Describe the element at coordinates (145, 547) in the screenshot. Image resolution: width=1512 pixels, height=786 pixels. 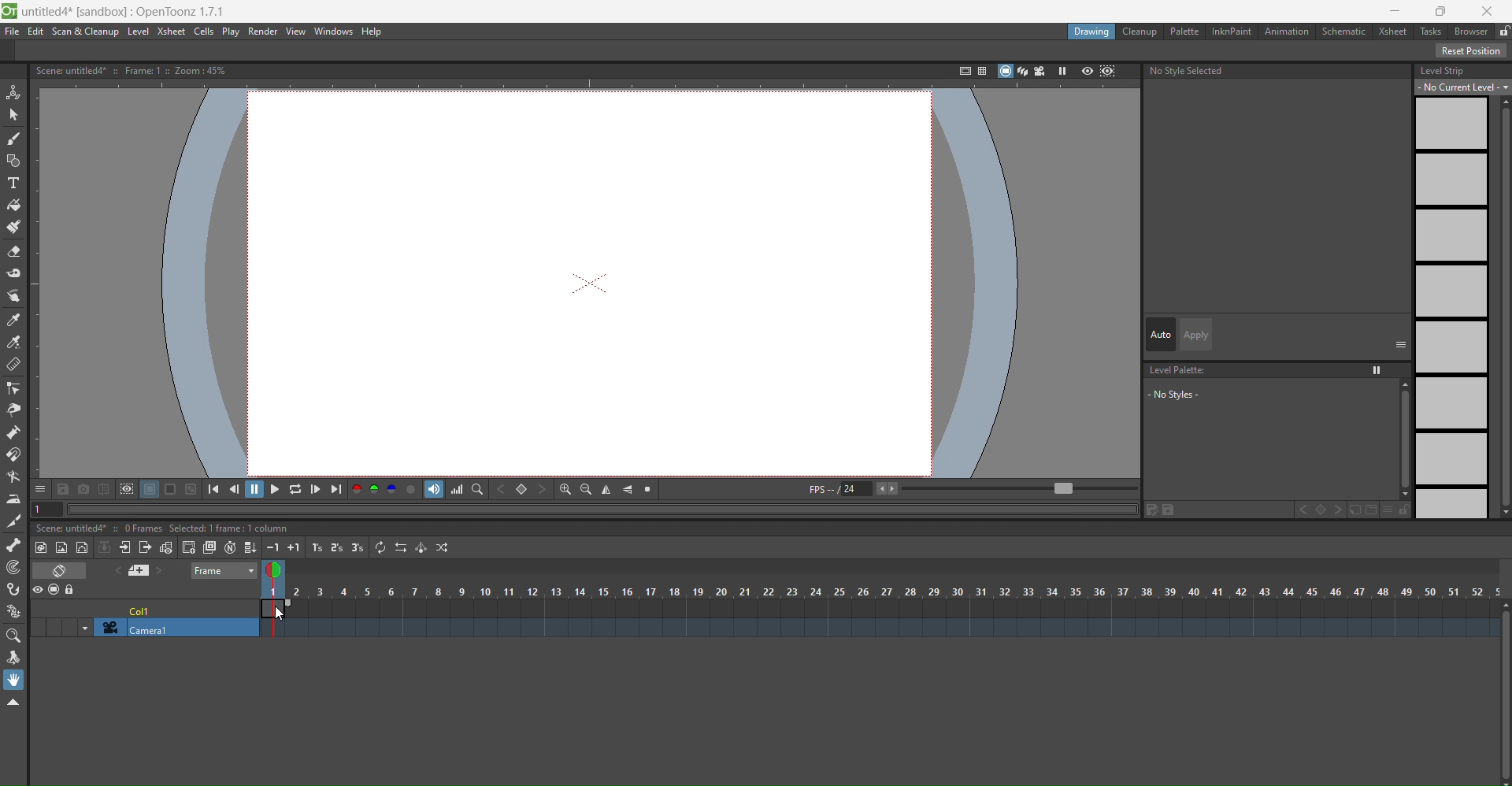
I see `close sub xsheet` at that location.